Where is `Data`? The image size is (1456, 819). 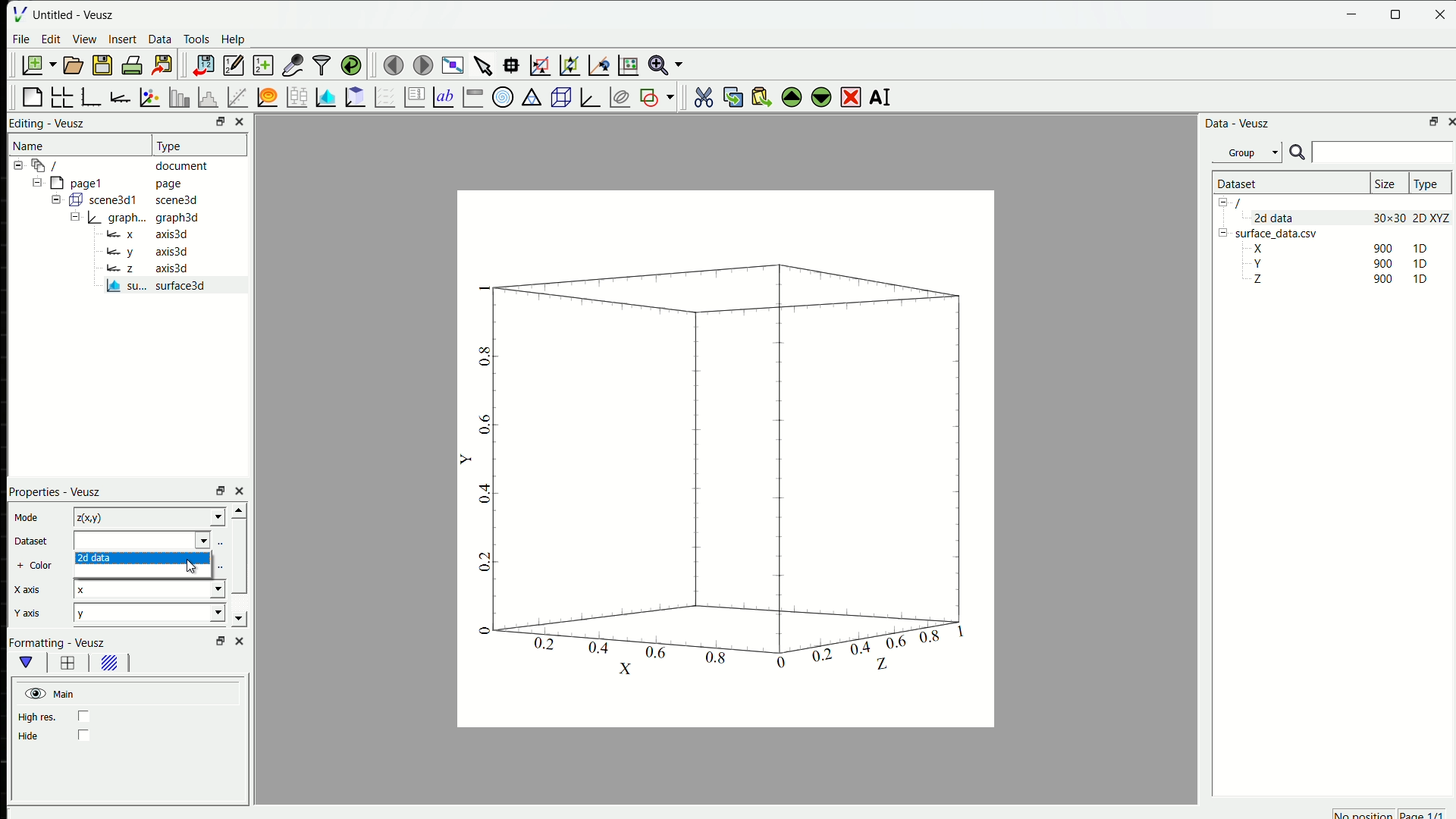
Data is located at coordinates (162, 39).